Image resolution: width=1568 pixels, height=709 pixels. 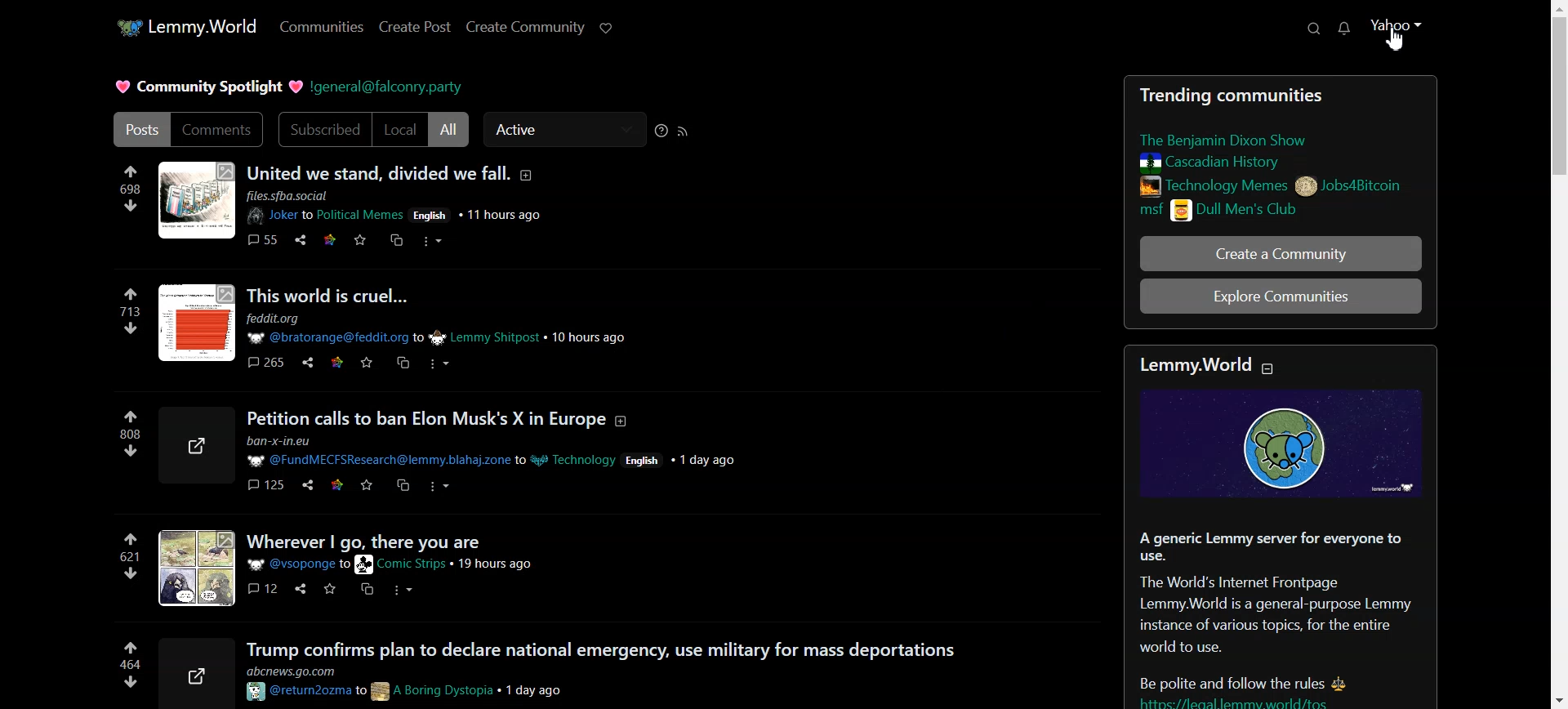 I want to click on usernames, so click(x=365, y=691).